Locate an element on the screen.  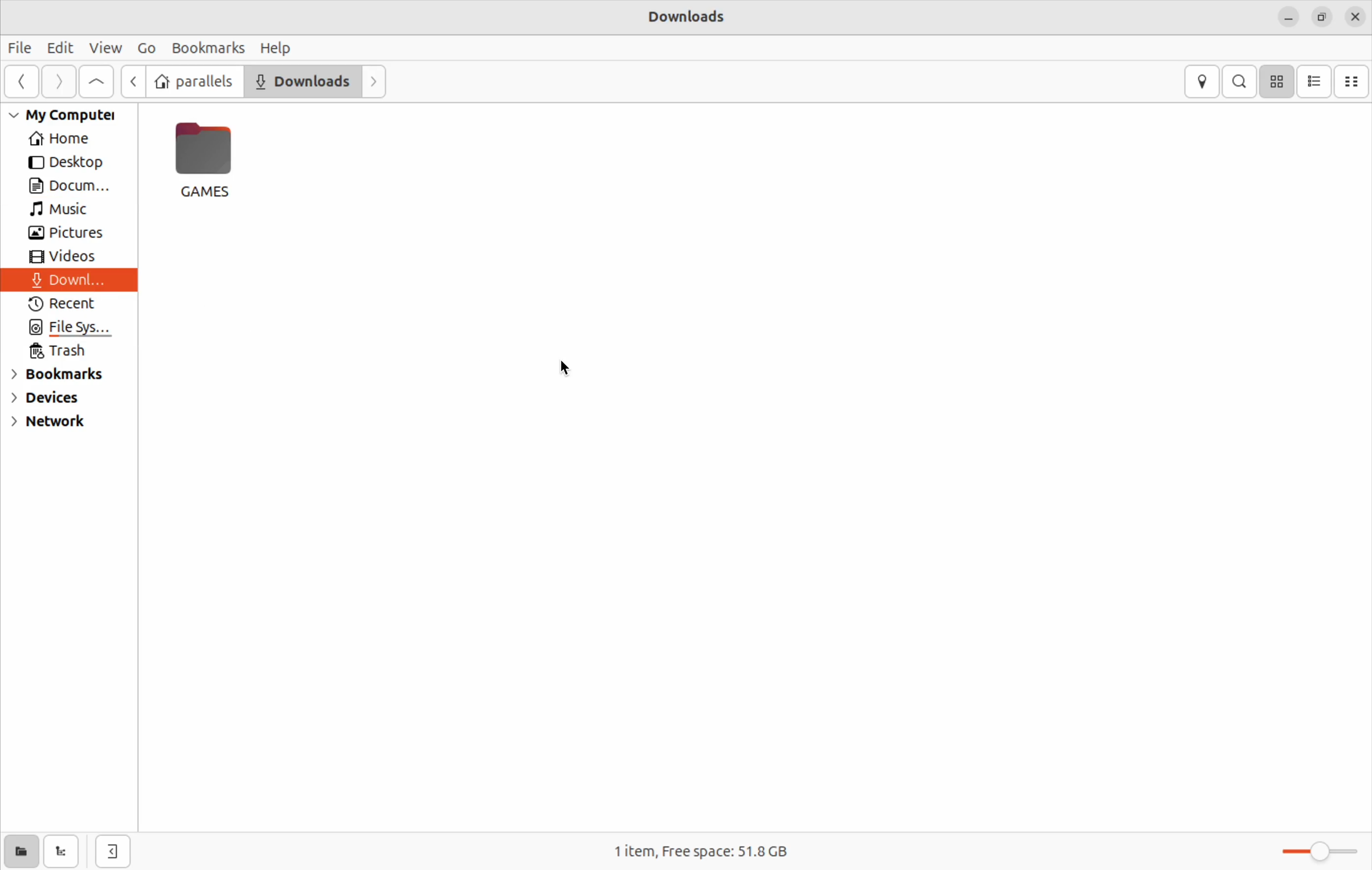
home is located at coordinates (66, 140).